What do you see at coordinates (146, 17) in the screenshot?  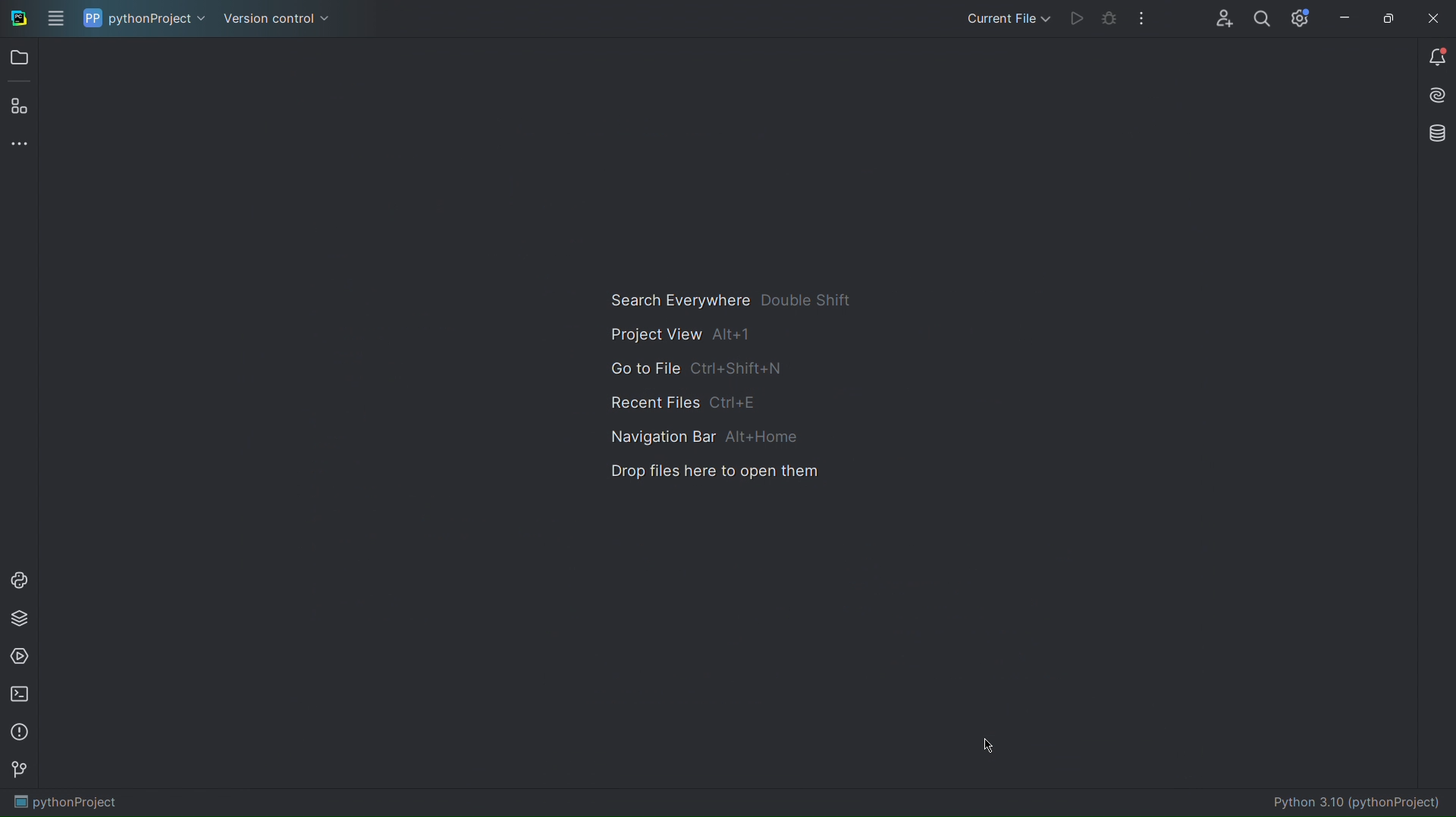 I see `pythonProject` at bounding box center [146, 17].